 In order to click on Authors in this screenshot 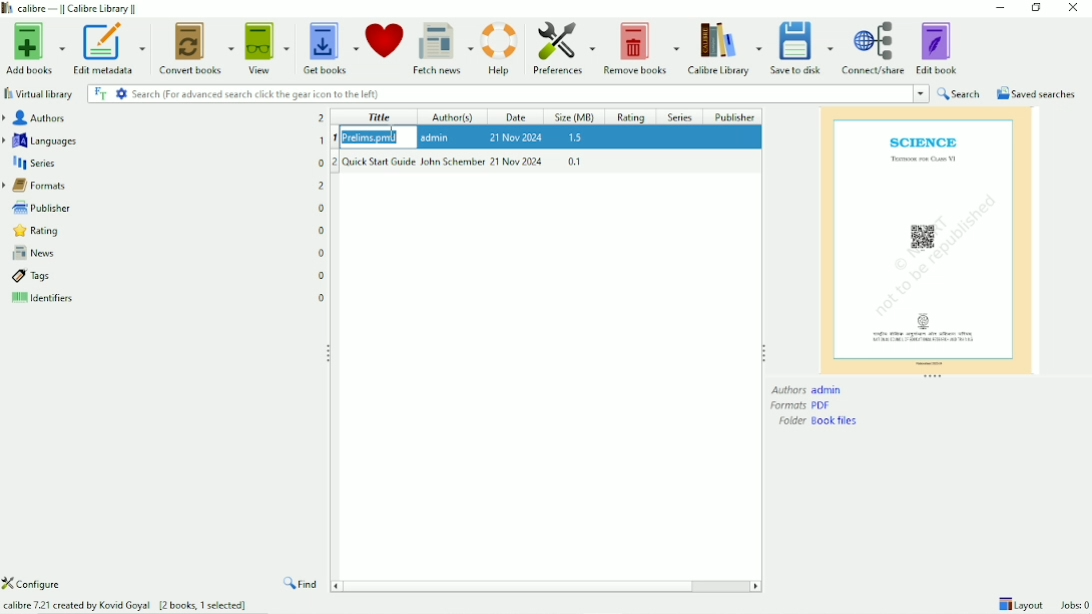, I will do `click(36, 118)`.